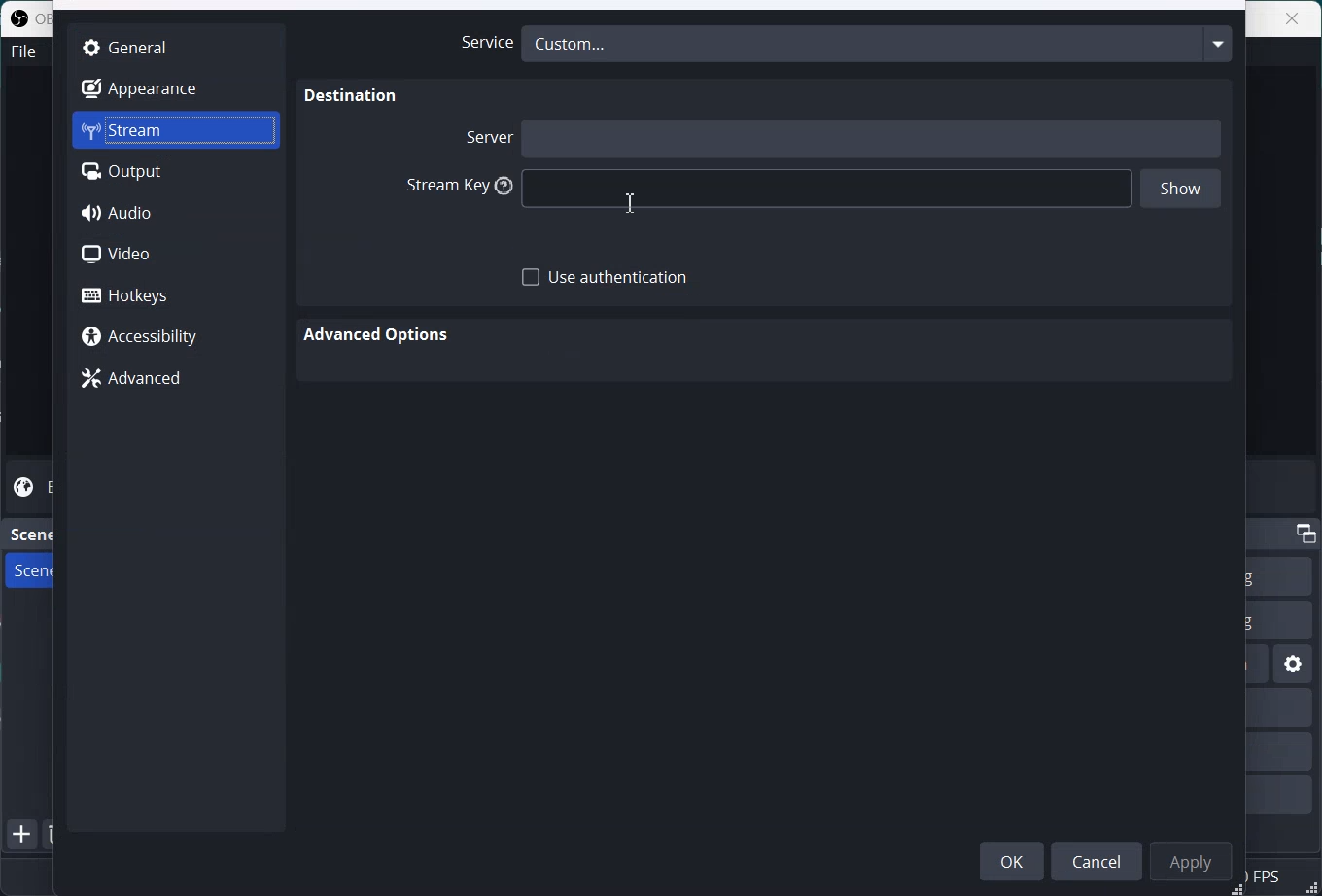  I want to click on OK, so click(1012, 860).